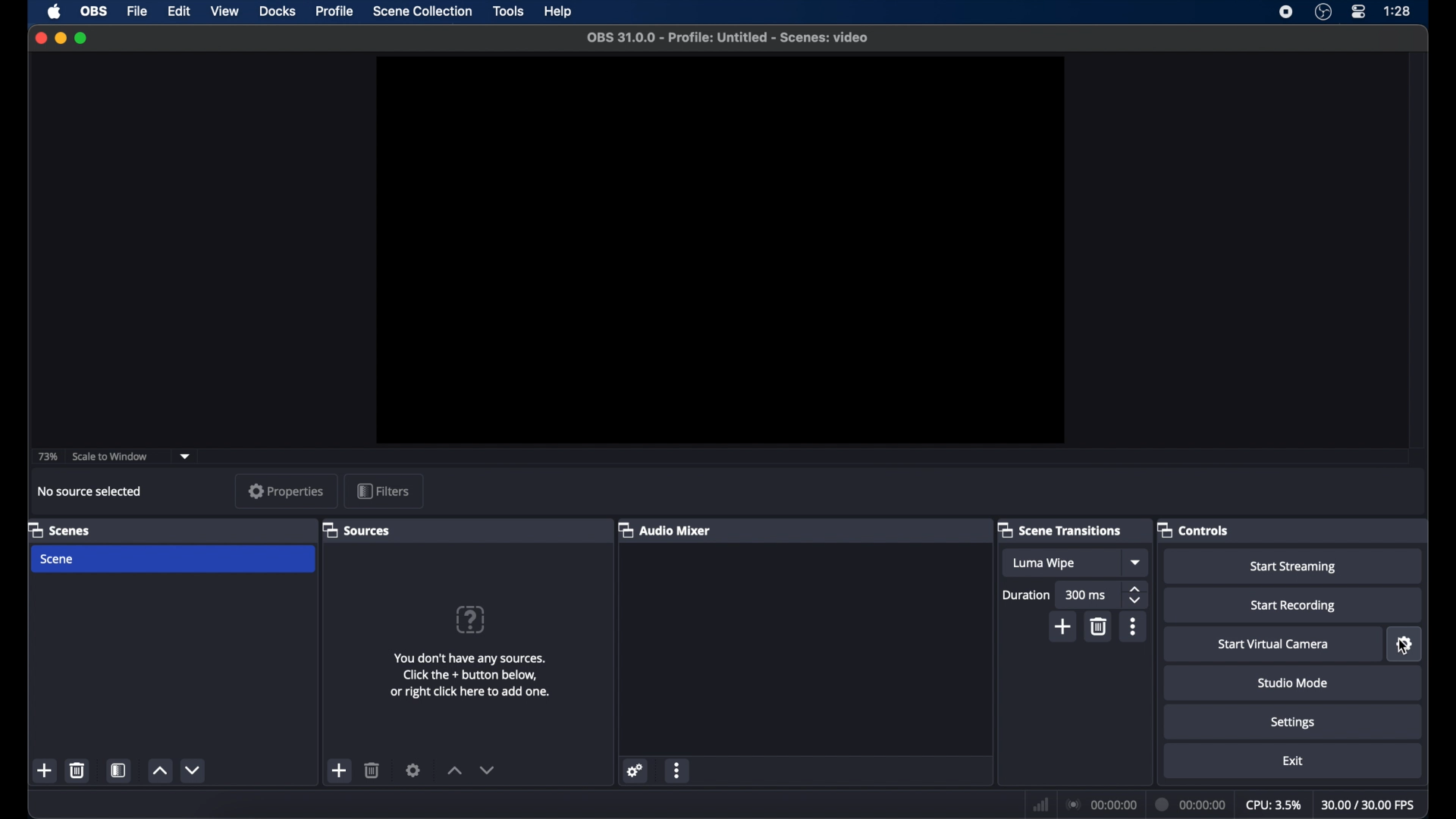  What do you see at coordinates (1293, 682) in the screenshot?
I see `studio mode` at bounding box center [1293, 682].